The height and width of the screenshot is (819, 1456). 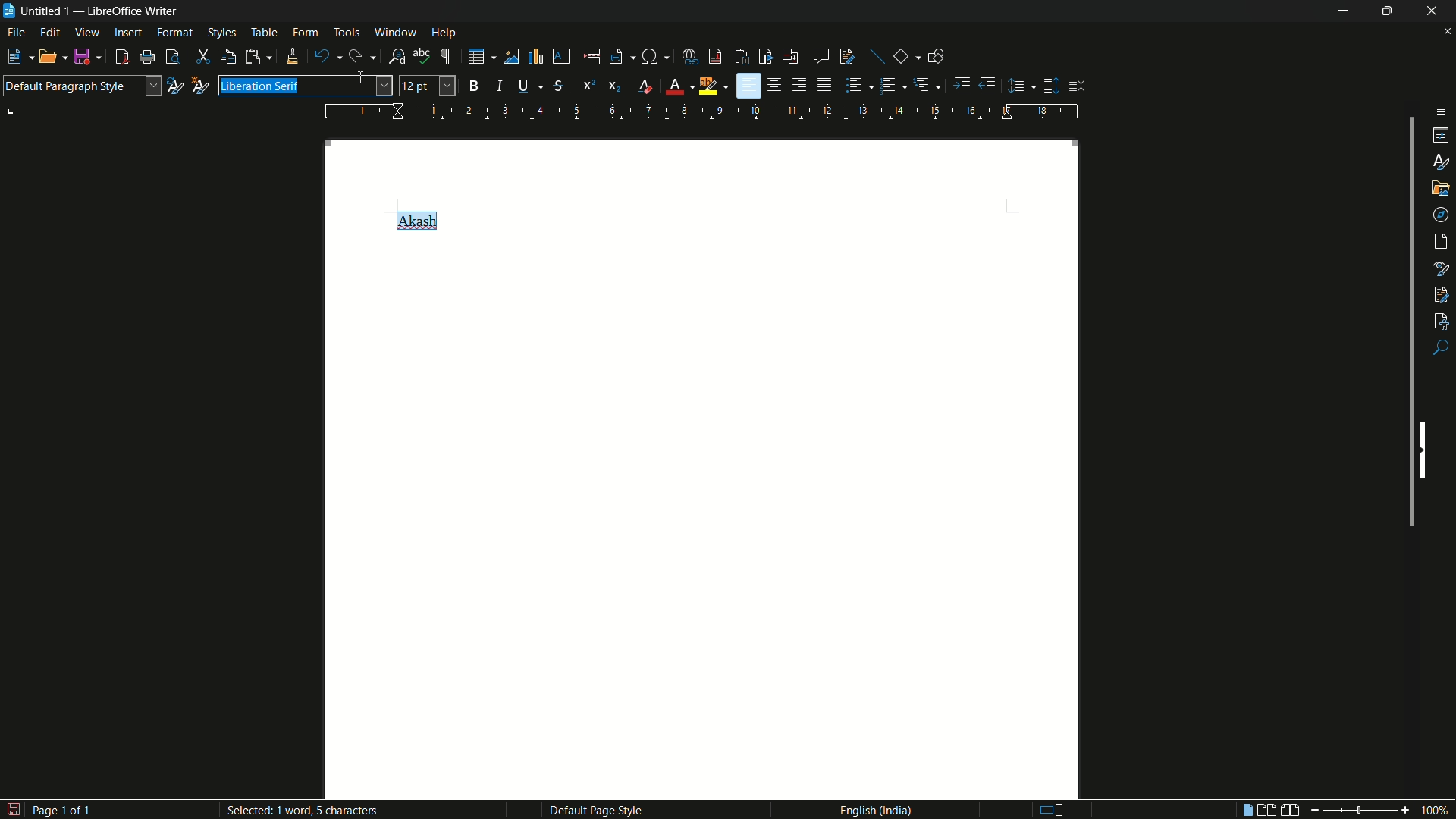 I want to click on format menu, so click(x=174, y=32).